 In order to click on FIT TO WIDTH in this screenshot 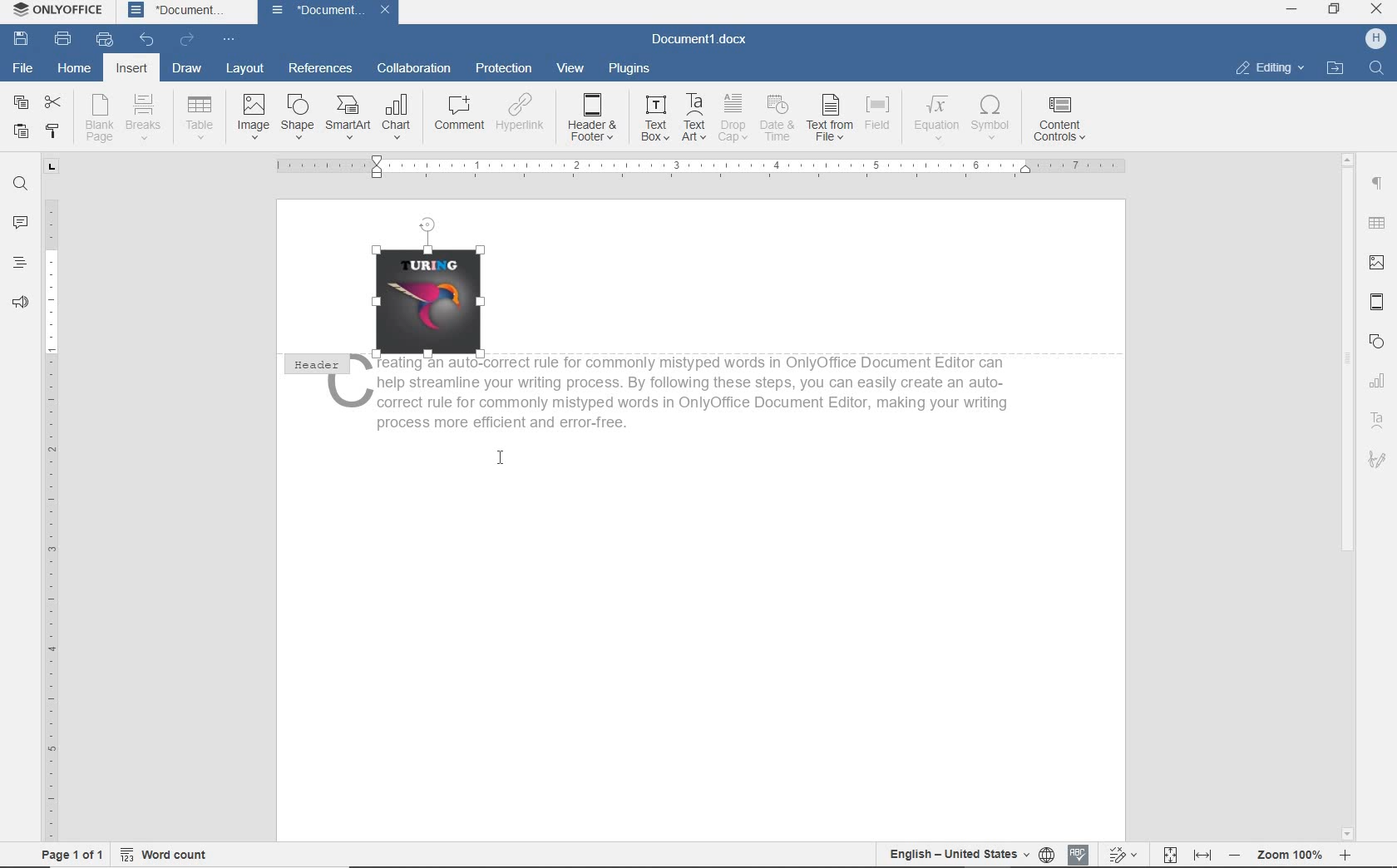, I will do `click(1202, 855)`.